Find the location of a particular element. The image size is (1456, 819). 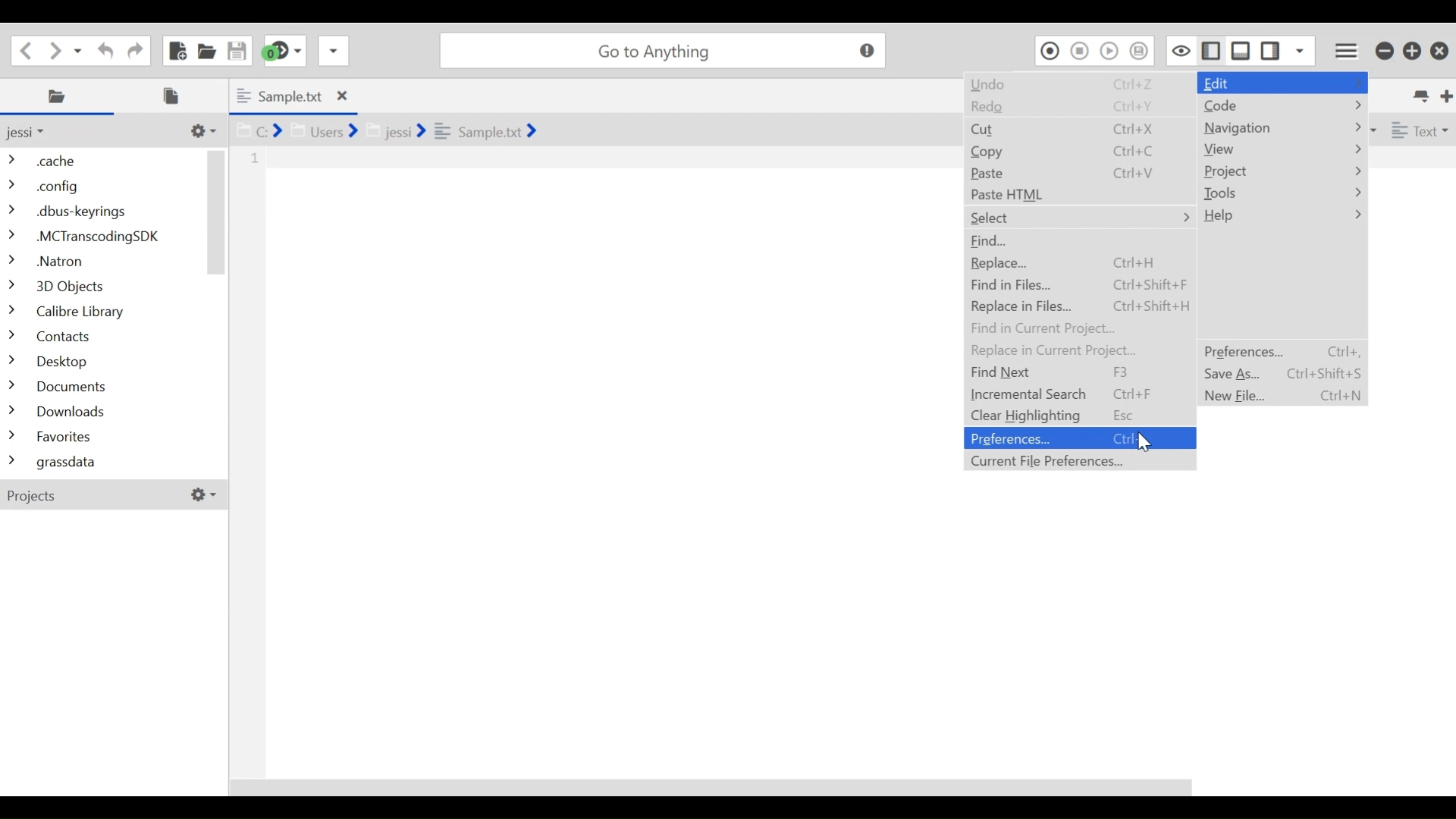

Tools is located at coordinates (1282, 194).